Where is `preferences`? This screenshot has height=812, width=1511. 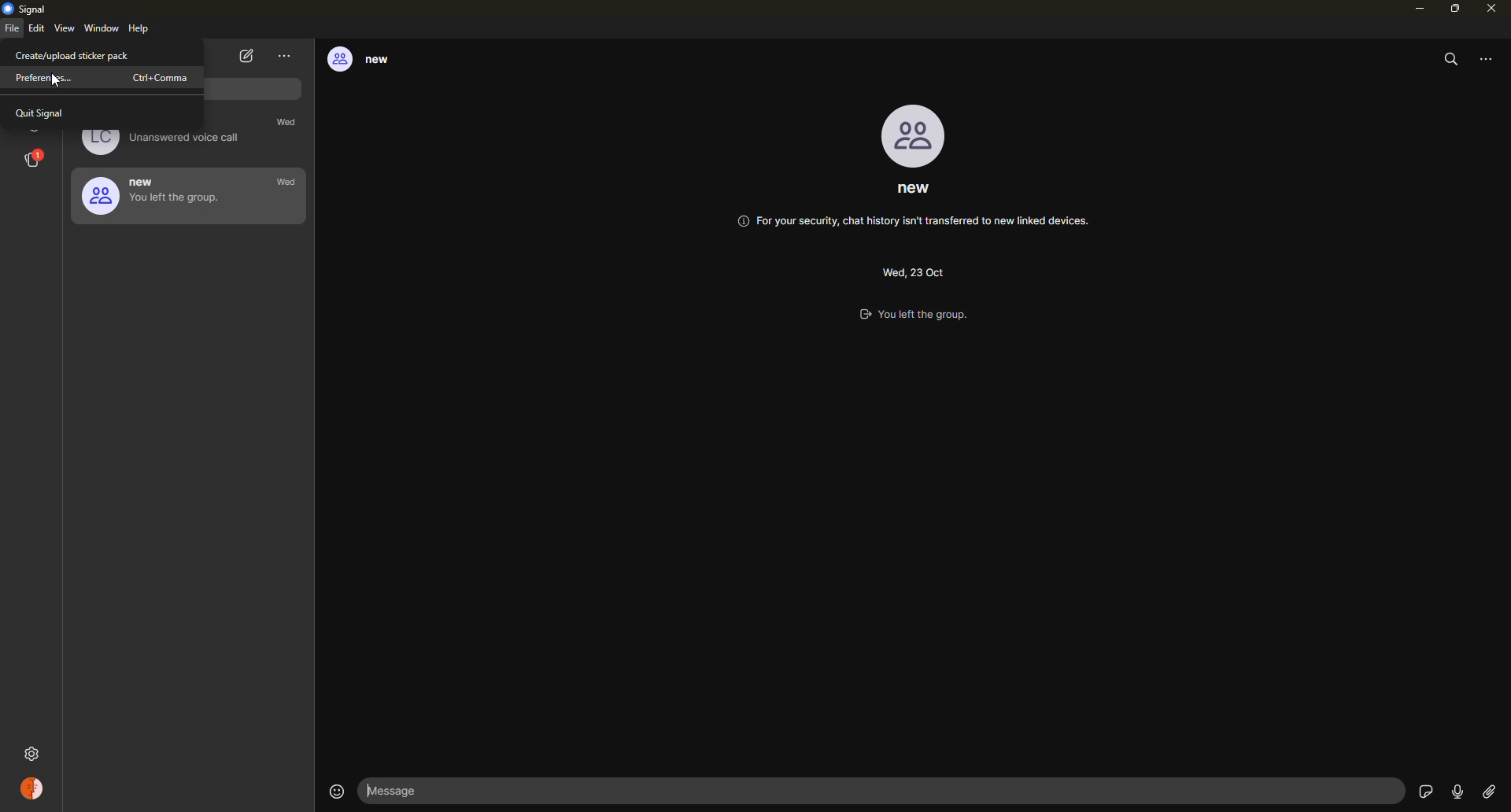
preferences is located at coordinates (46, 79).